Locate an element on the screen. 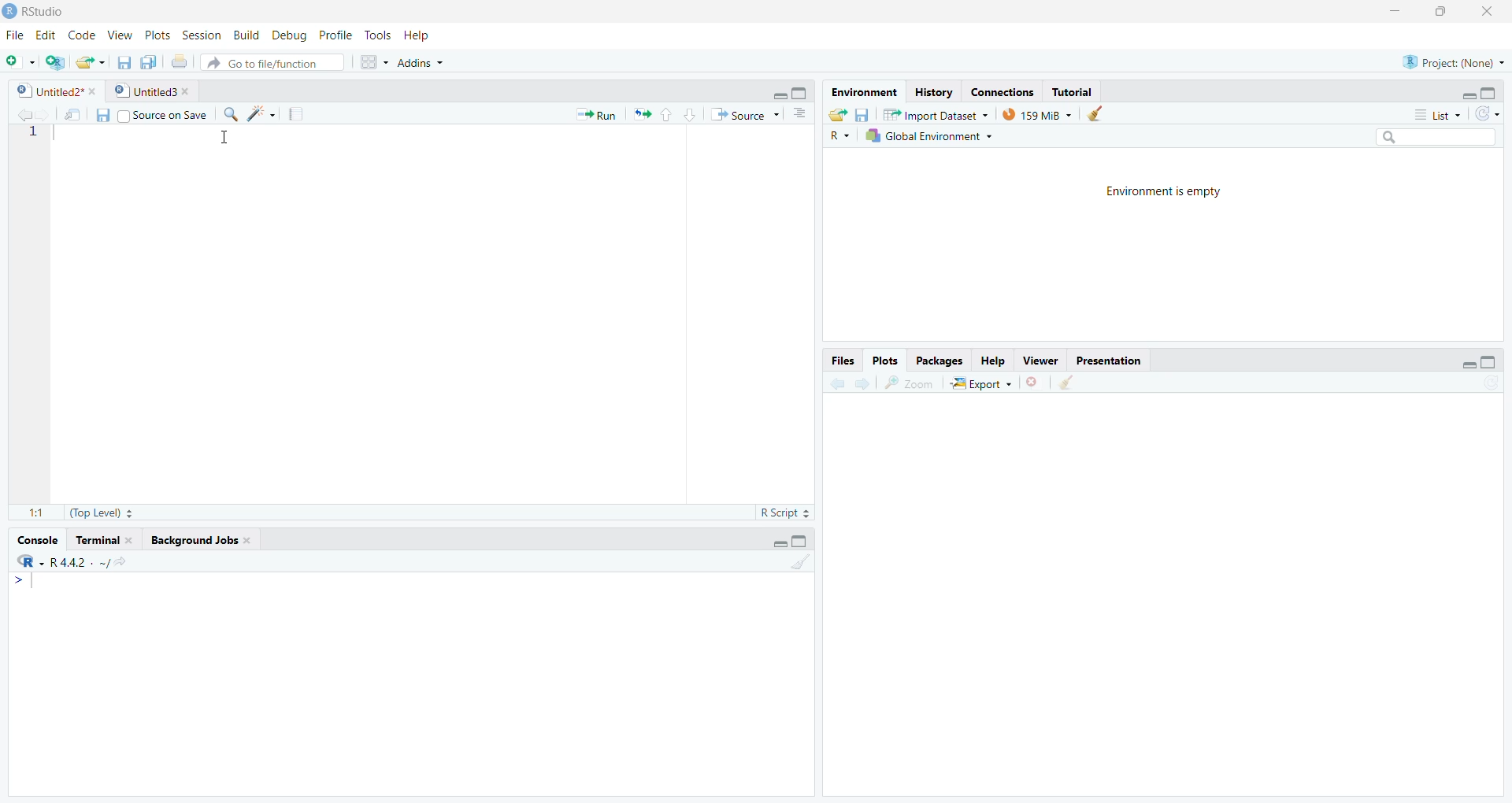  Background Jobs is located at coordinates (200, 541).